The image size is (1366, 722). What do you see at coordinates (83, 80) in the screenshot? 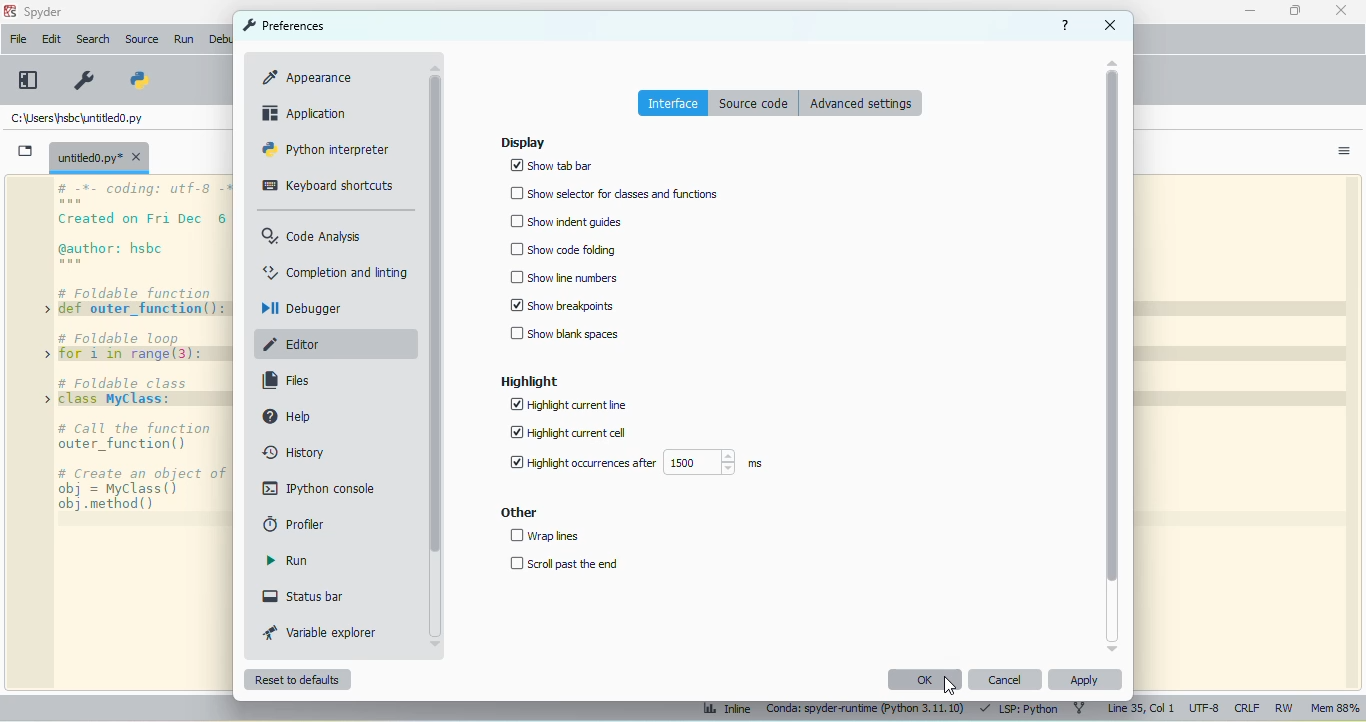
I see `preferences` at bounding box center [83, 80].